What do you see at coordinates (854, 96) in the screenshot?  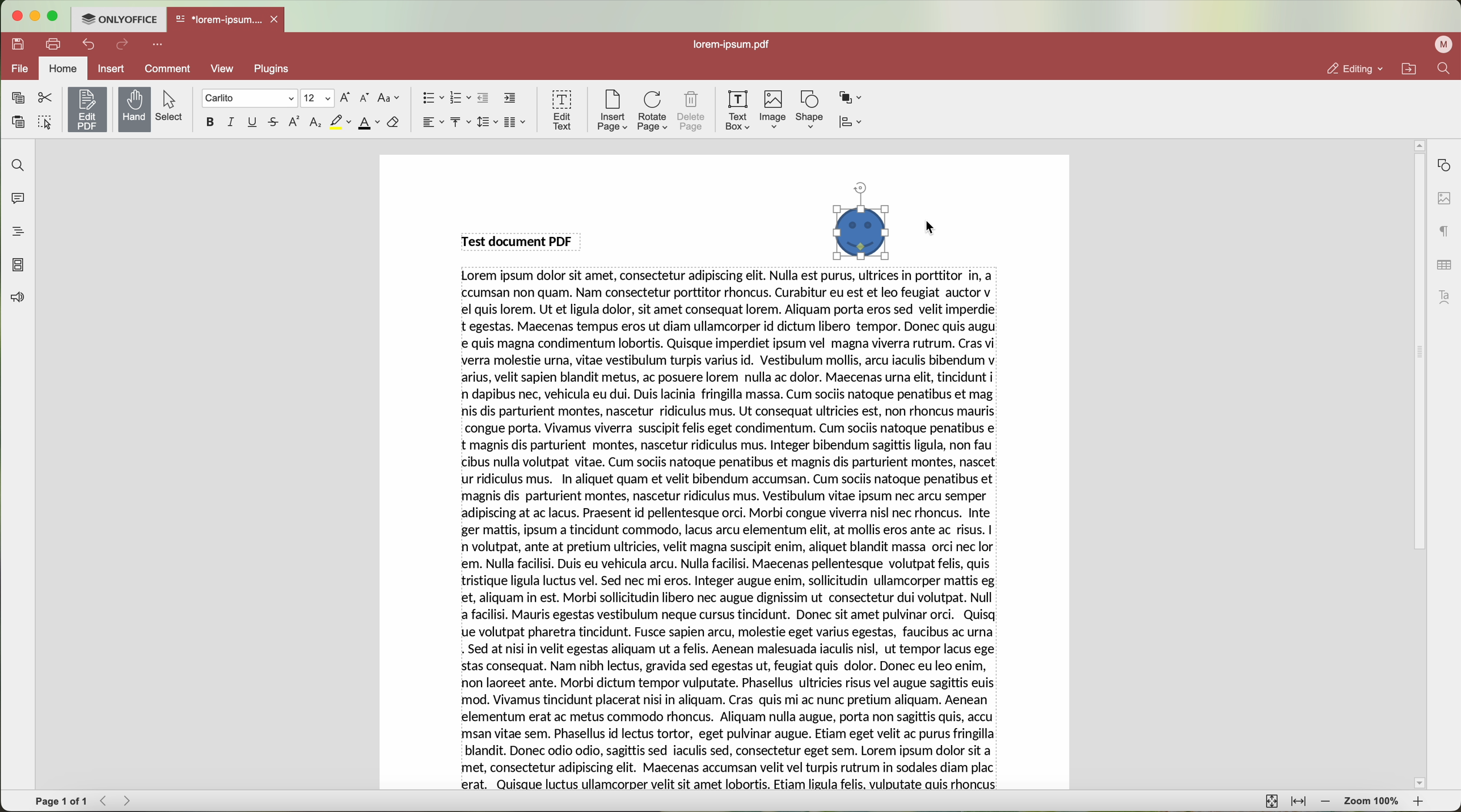 I see `arrange shape` at bounding box center [854, 96].